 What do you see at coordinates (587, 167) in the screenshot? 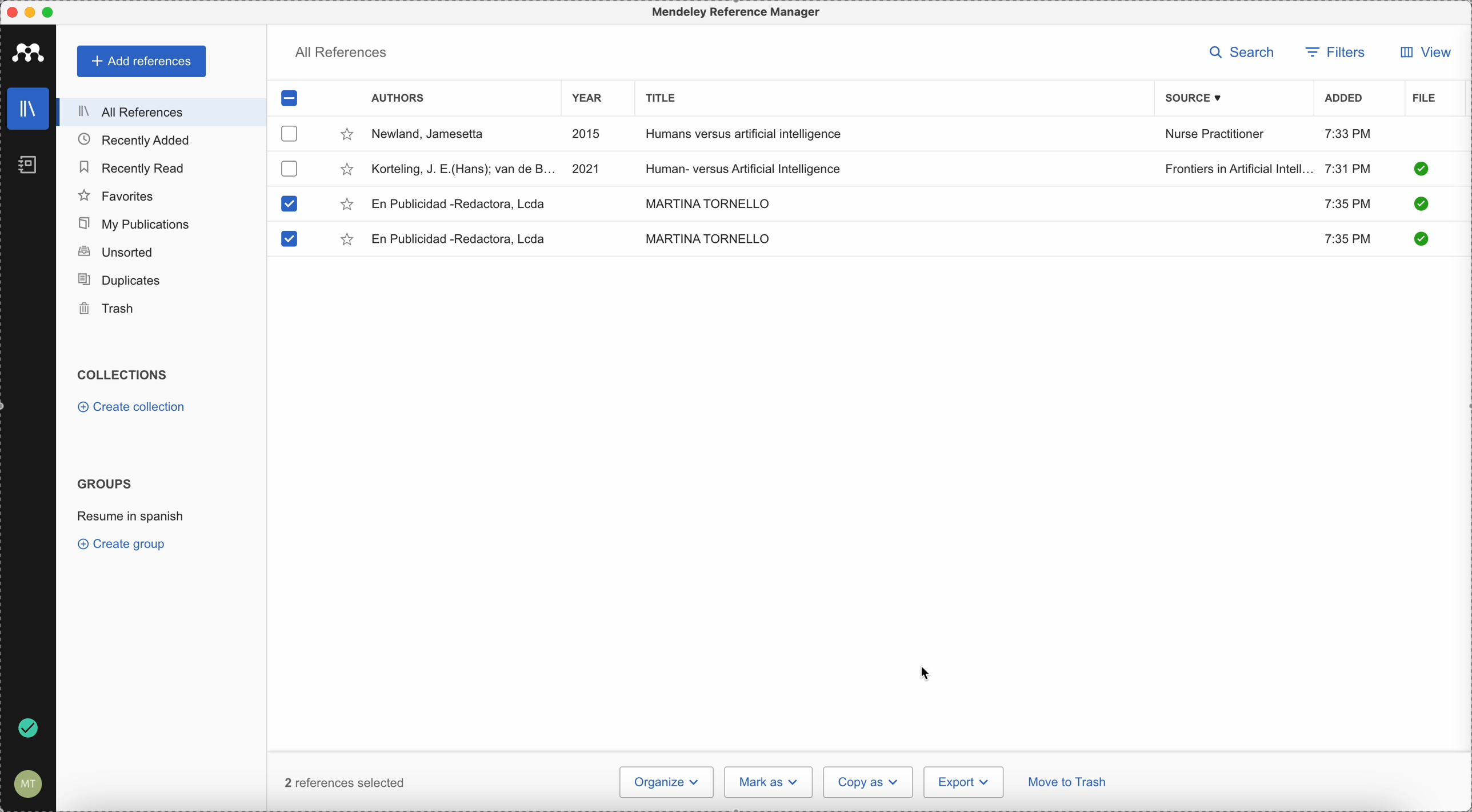
I see `2021` at bounding box center [587, 167].